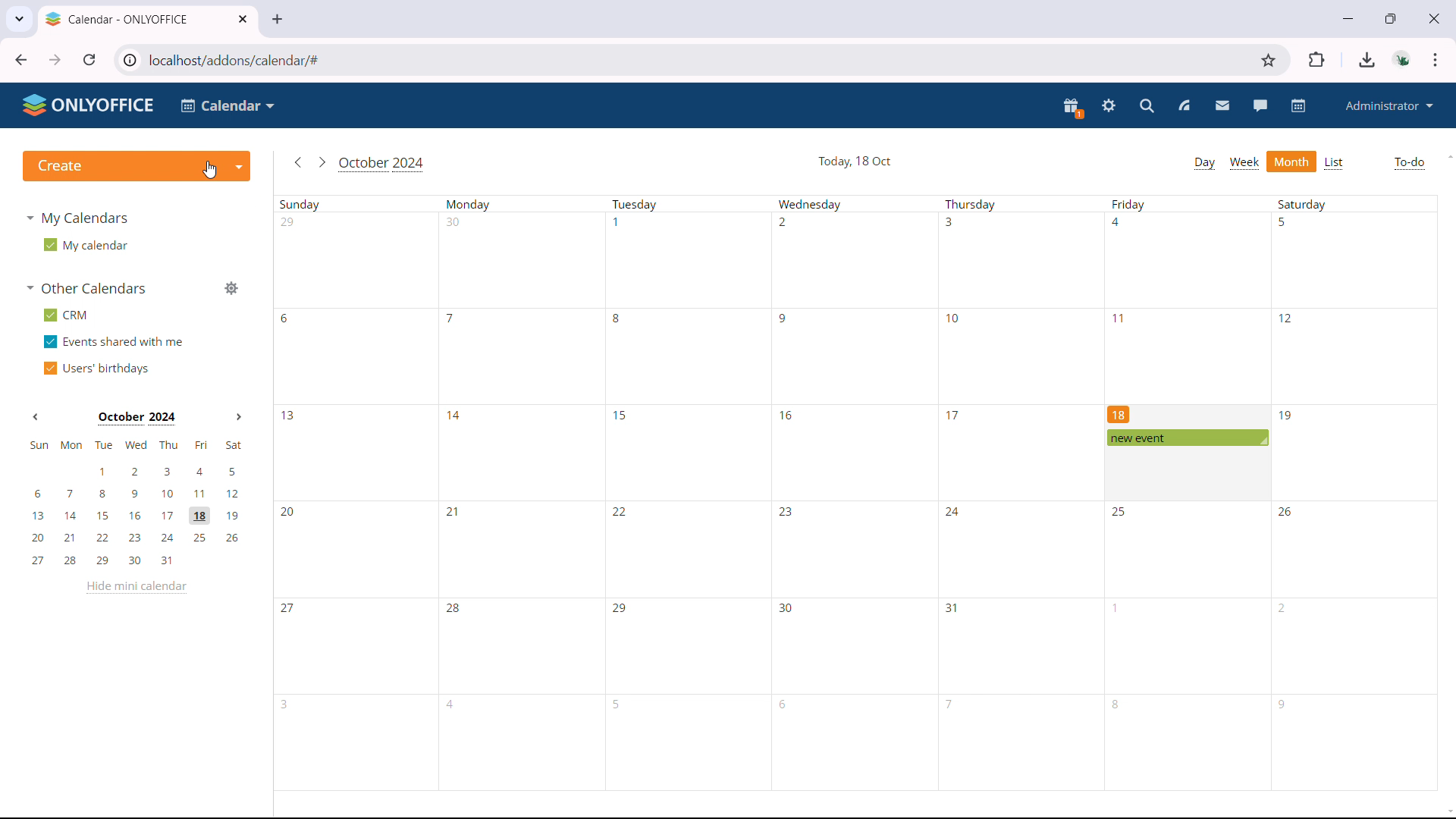  What do you see at coordinates (242, 19) in the screenshot?
I see `close tab` at bounding box center [242, 19].